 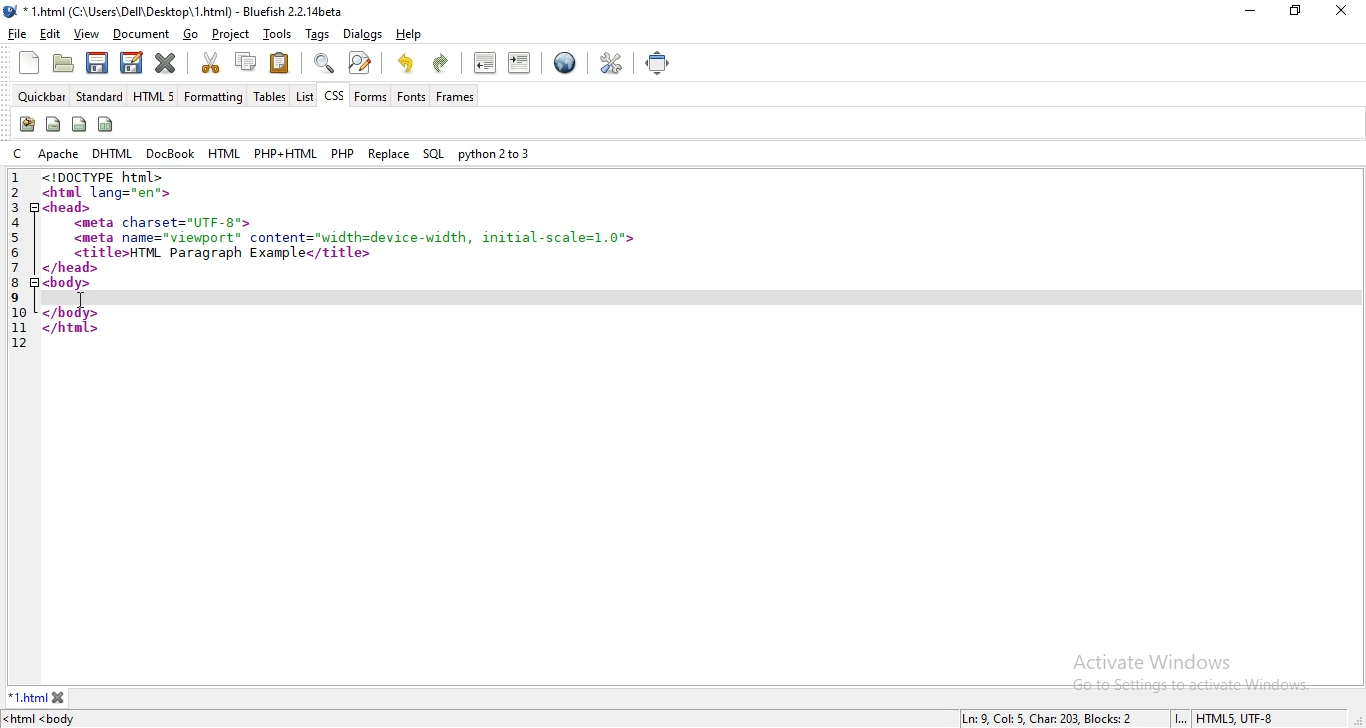 What do you see at coordinates (405, 61) in the screenshot?
I see `undo` at bounding box center [405, 61].